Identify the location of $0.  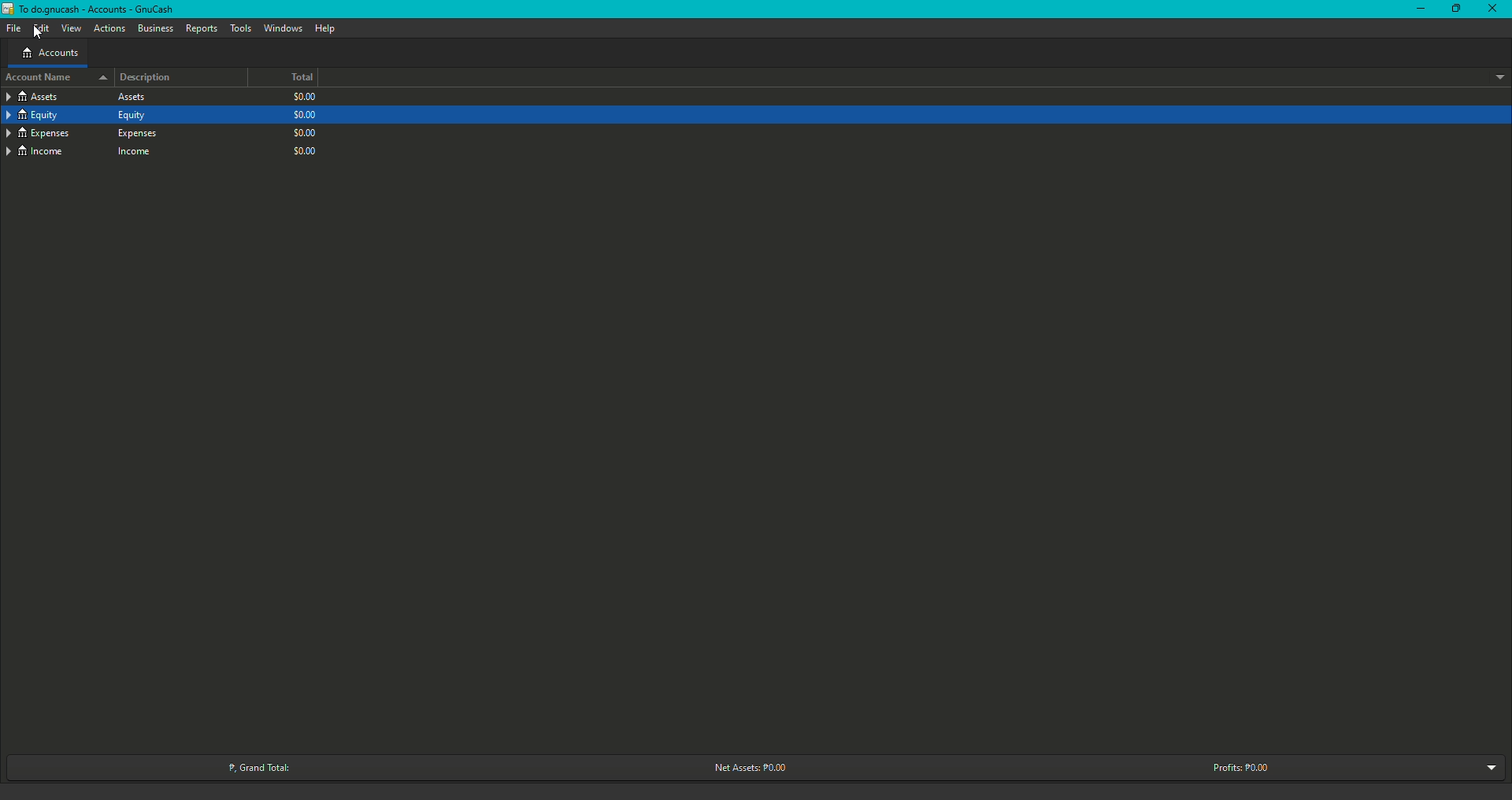
(306, 98).